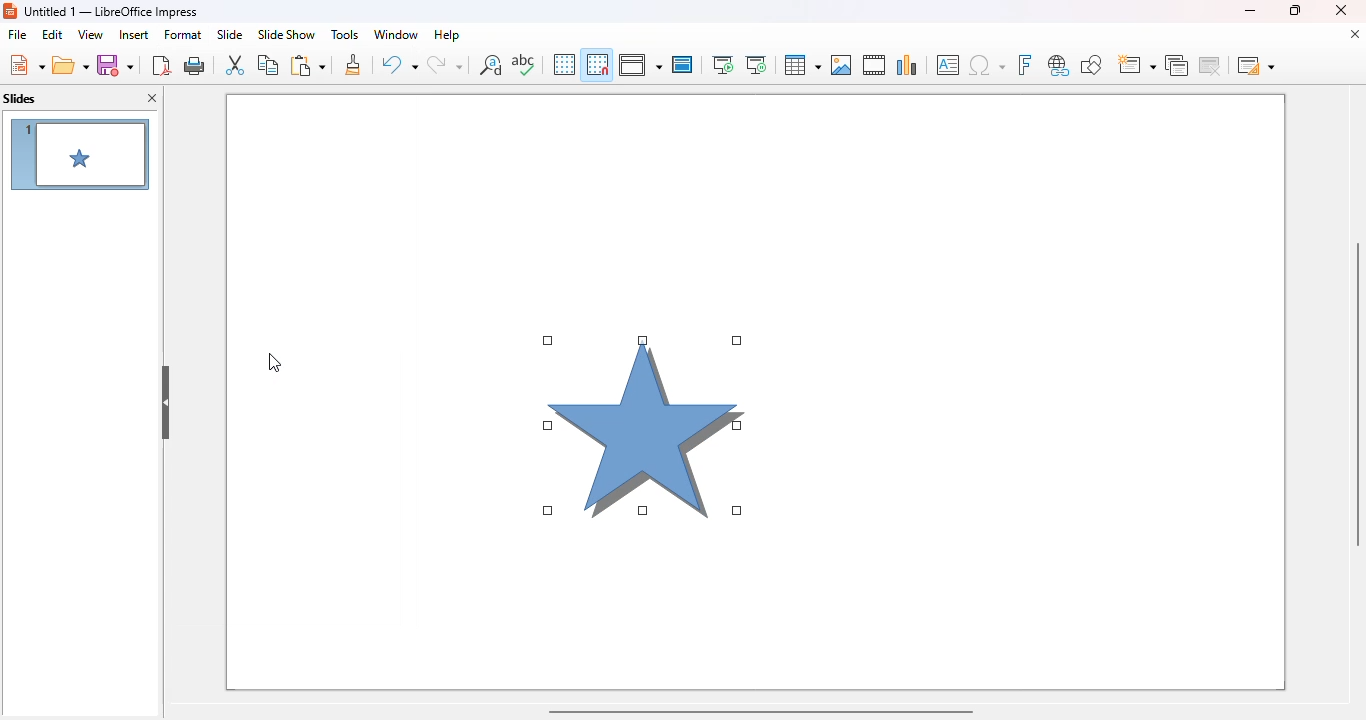 The height and width of the screenshot is (720, 1366). I want to click on format, so click(183, 34).